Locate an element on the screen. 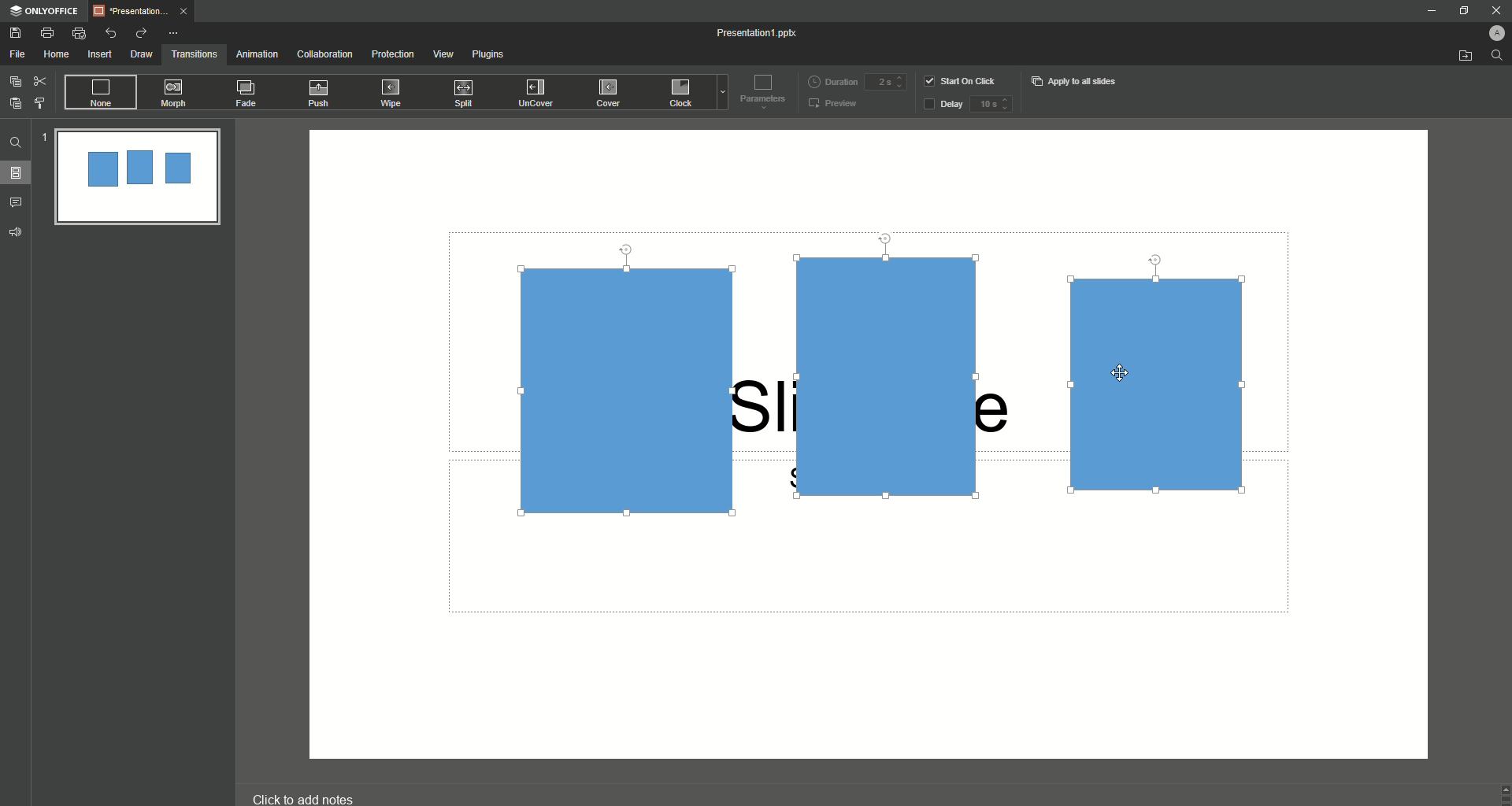  Protection is located at coordinates (394, 54).